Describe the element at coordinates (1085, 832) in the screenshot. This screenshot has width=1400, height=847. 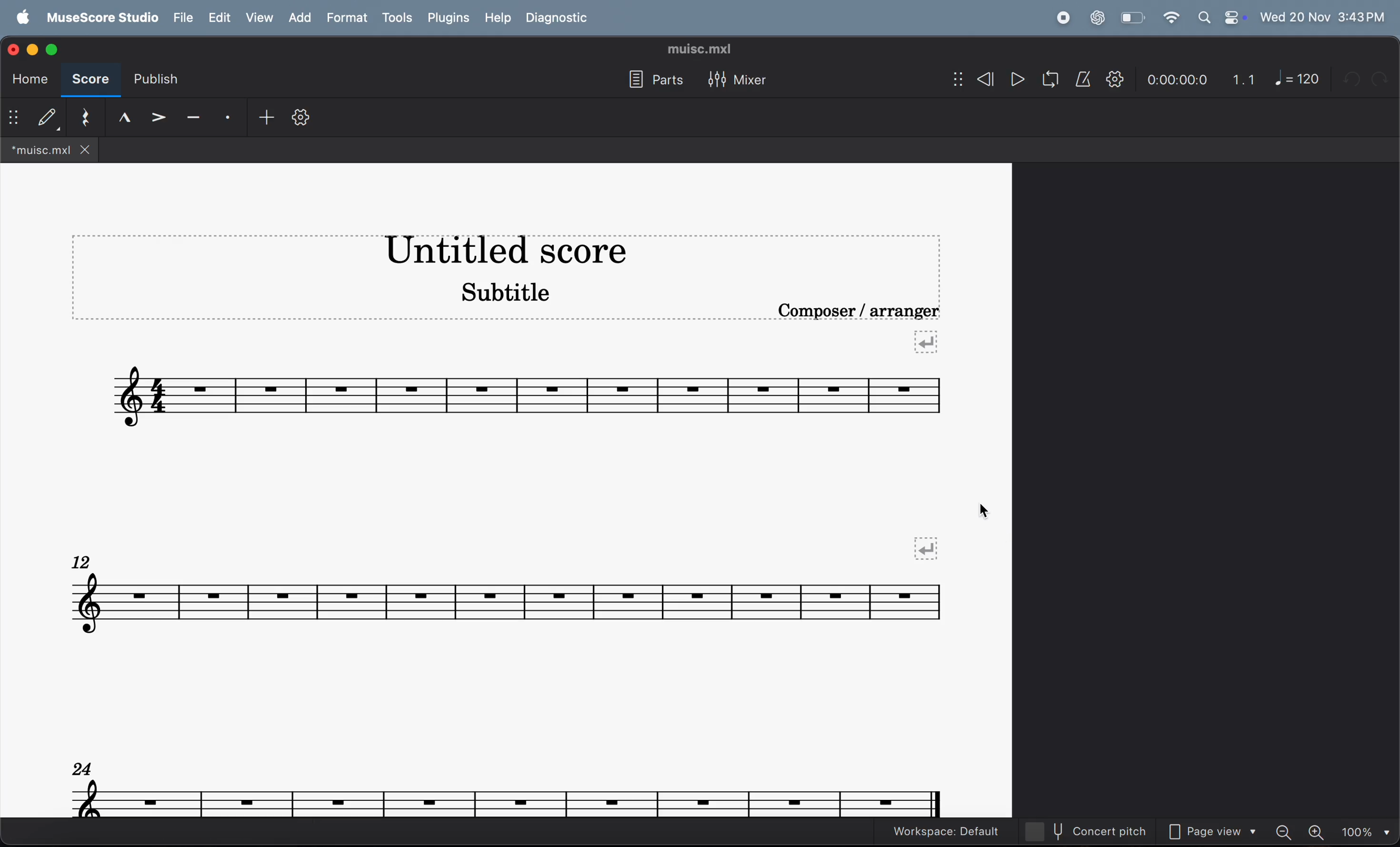
I see `concert pitch` at that location.